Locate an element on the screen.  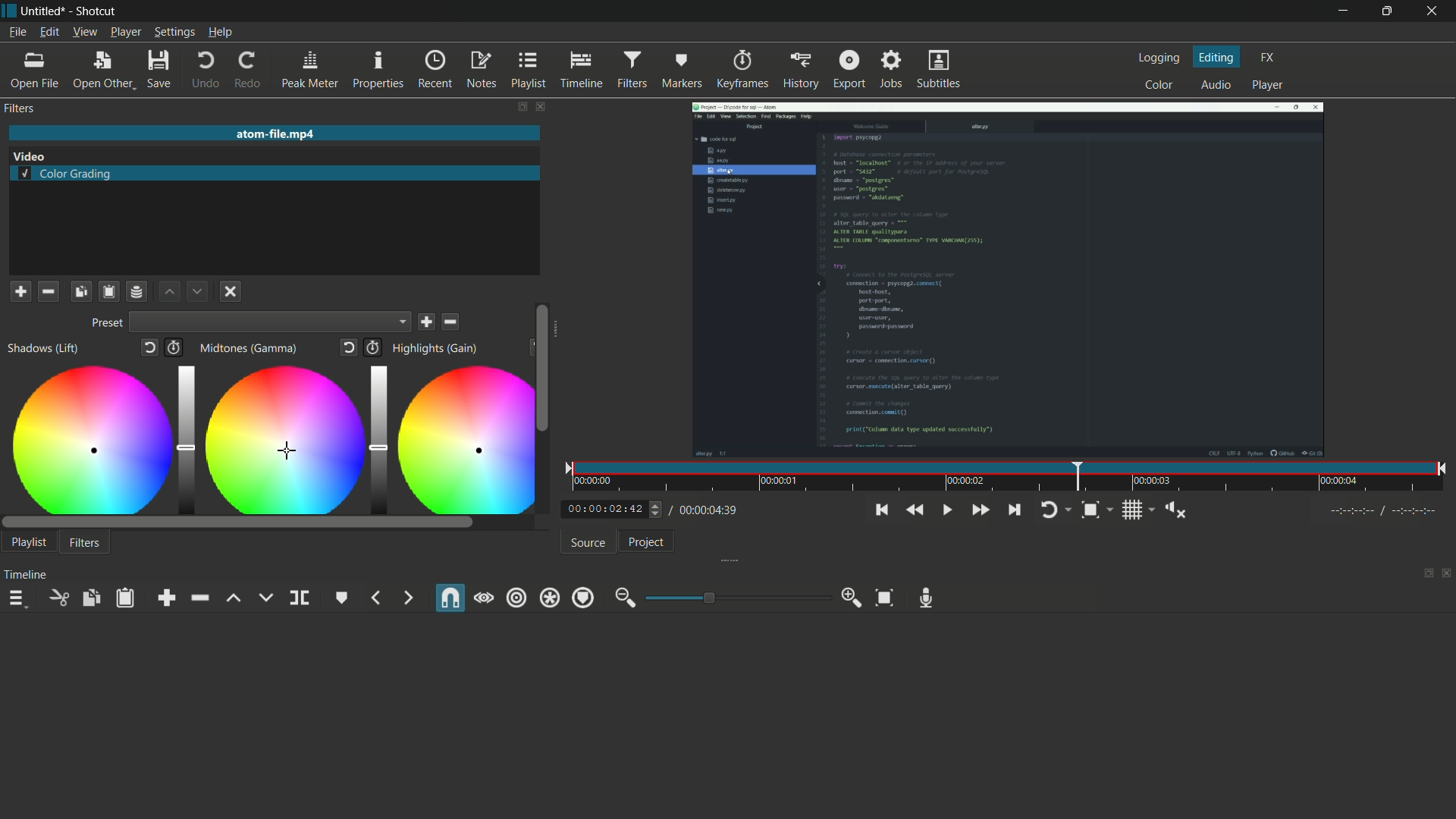
audio is located at coordinates (1213, 86).